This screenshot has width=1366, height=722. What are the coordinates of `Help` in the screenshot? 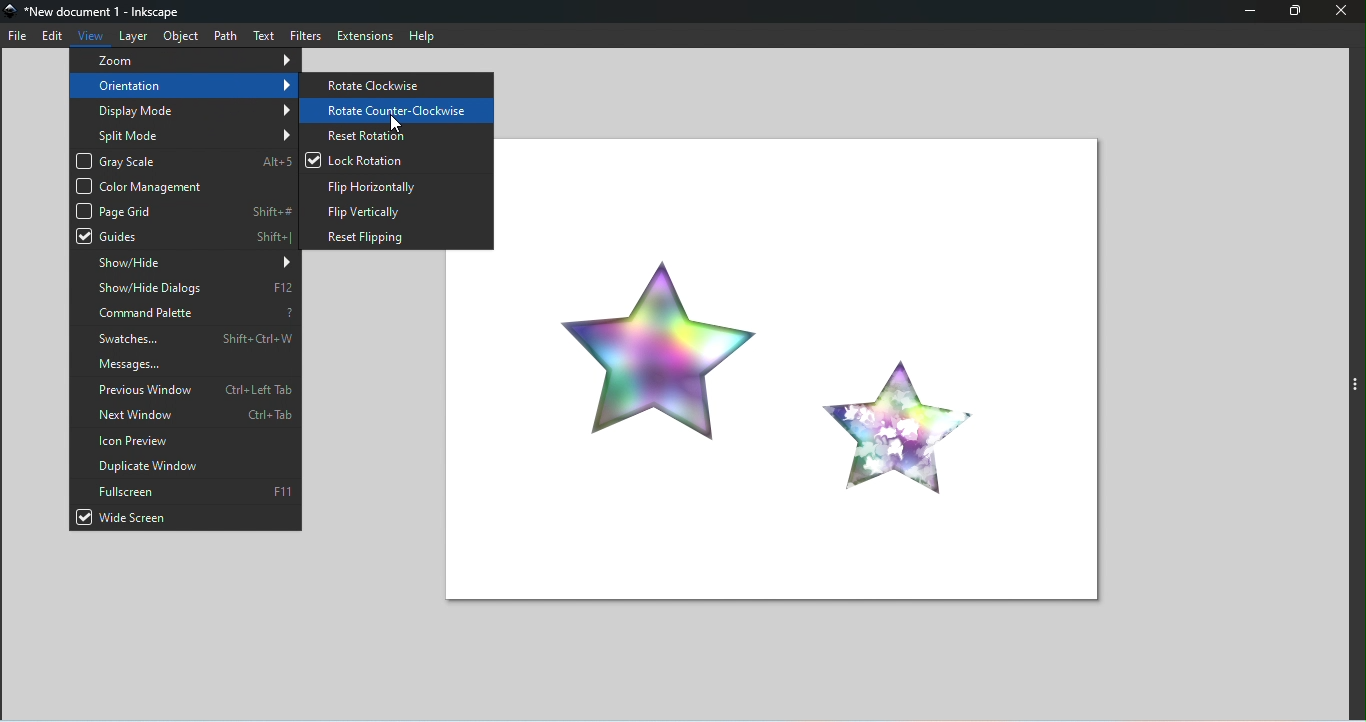 It's located at (426, 35).